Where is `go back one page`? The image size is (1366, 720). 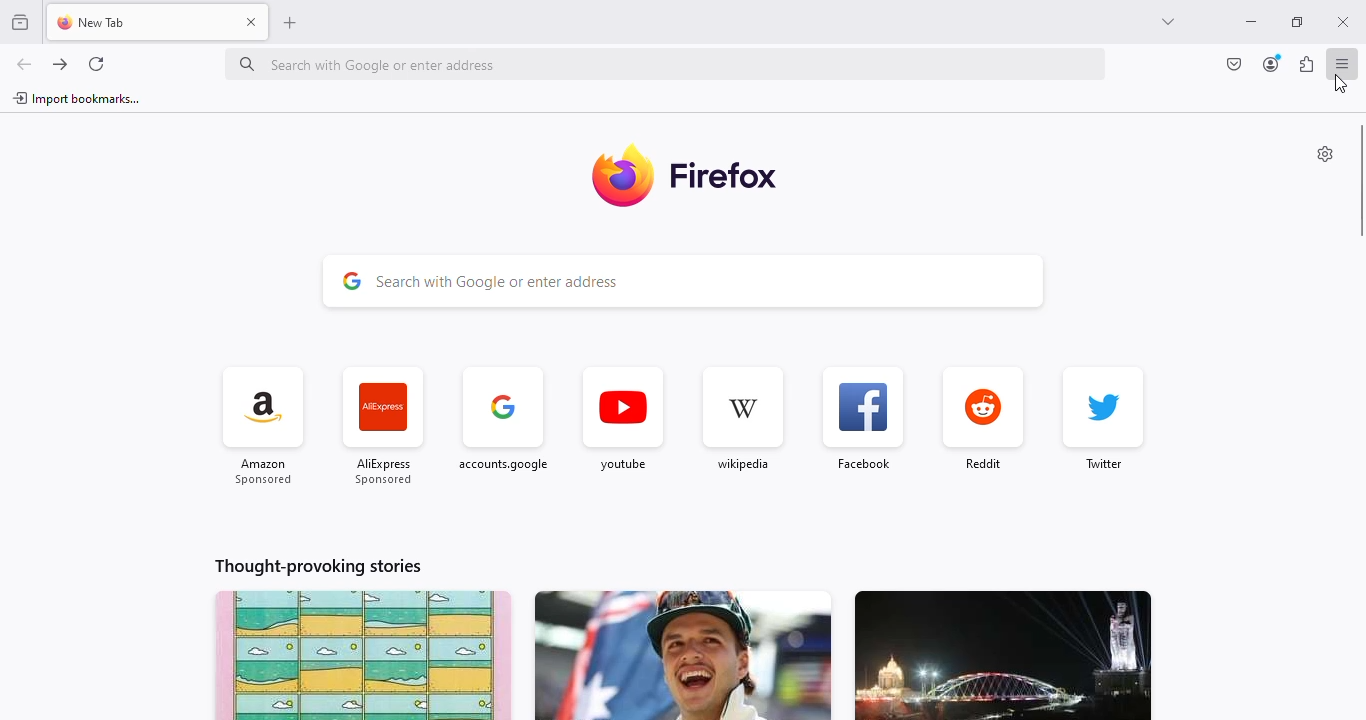
go back one page is located at coordinates (24, 64).